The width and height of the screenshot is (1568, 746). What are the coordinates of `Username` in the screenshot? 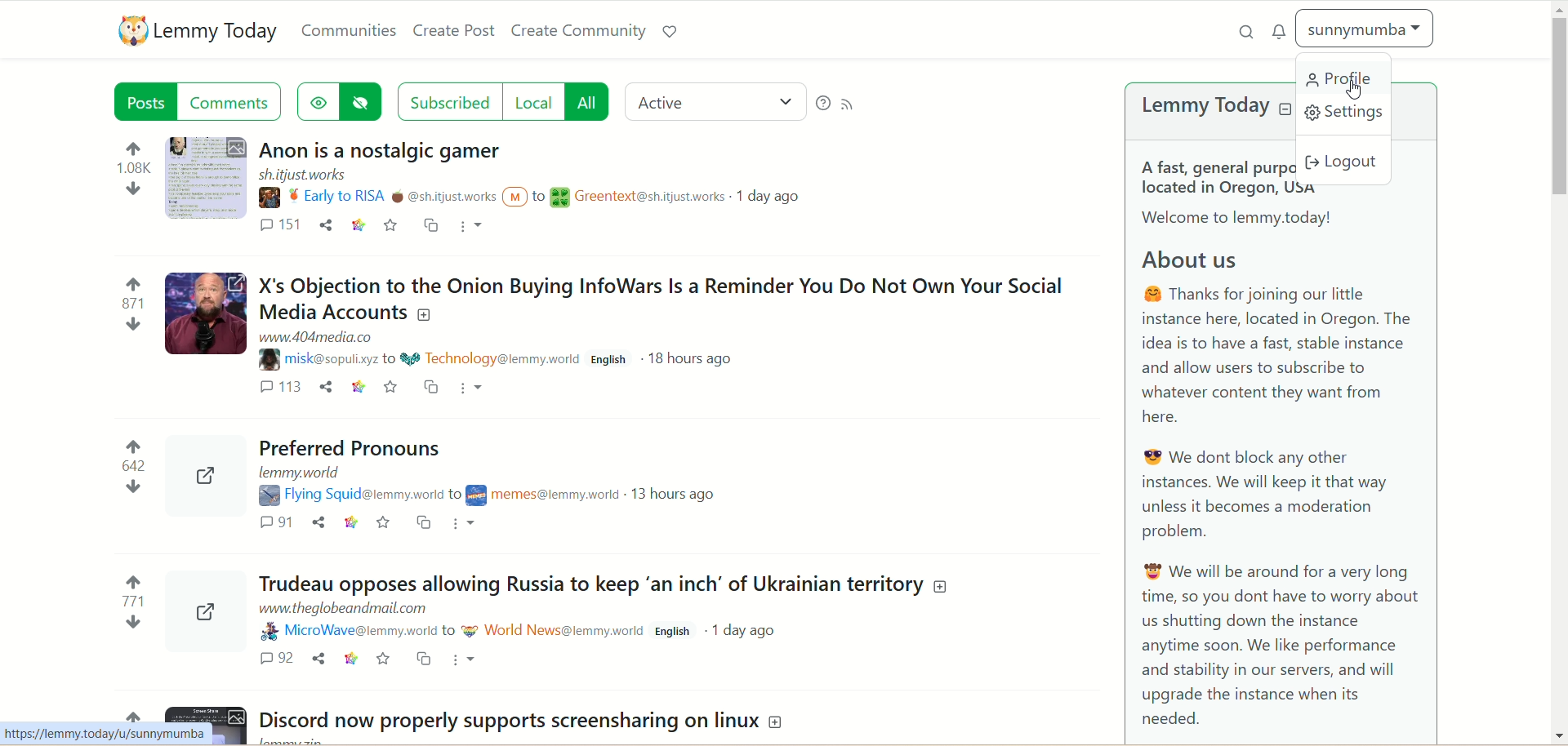 It's located at (380, 197).